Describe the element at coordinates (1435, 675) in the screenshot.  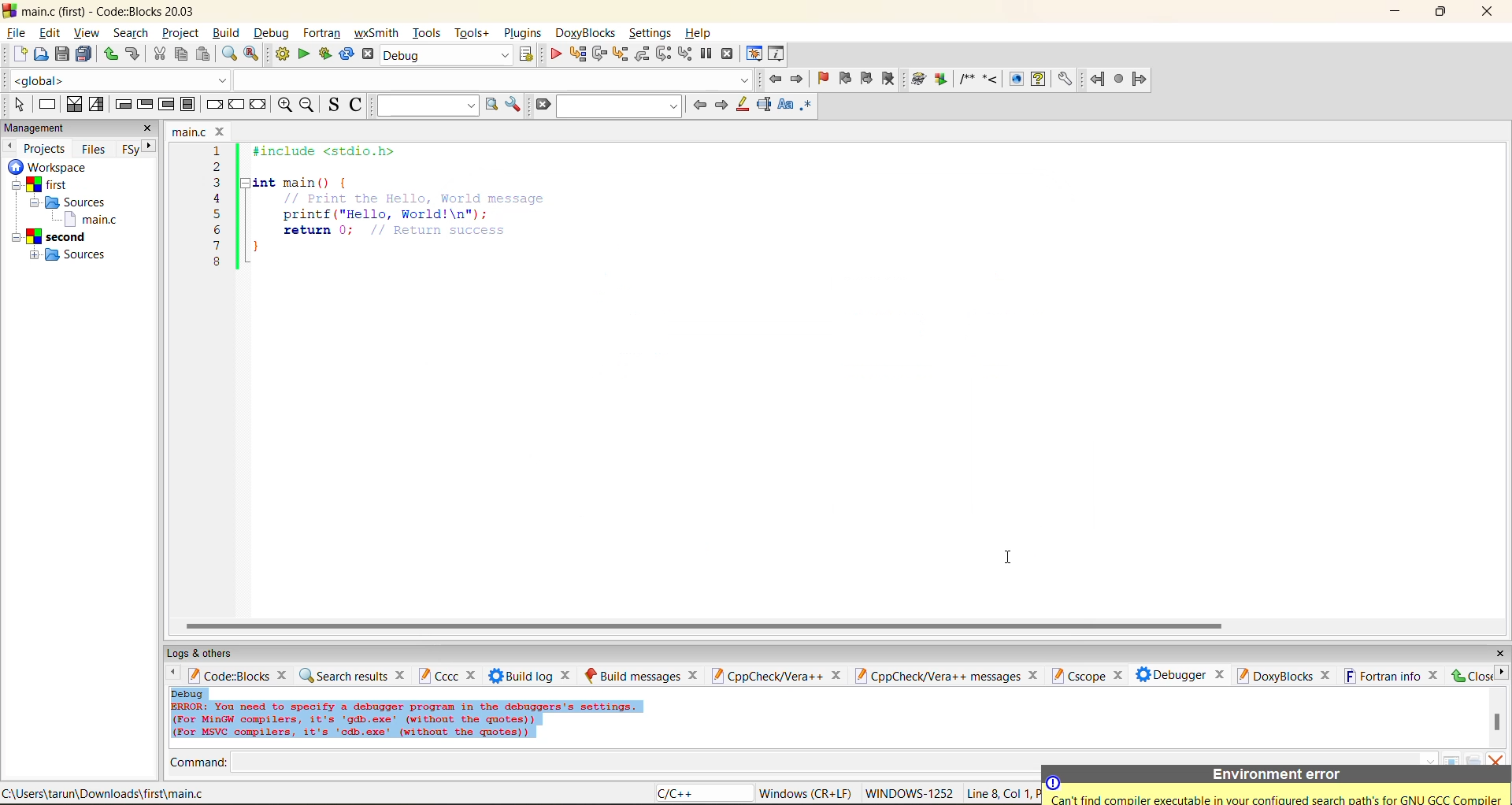
I see `close` at that location.